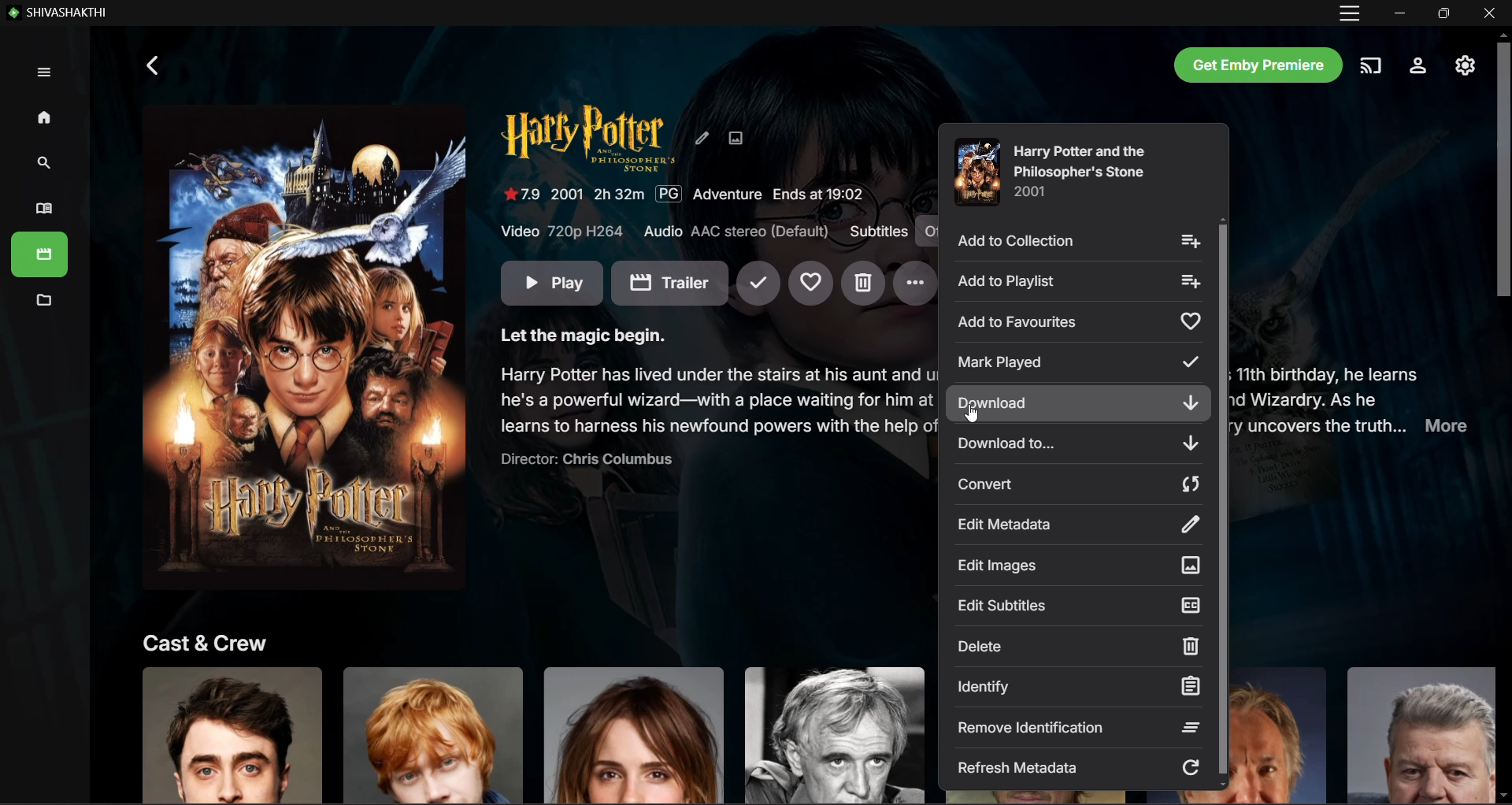 This screenshot has height=805, width=1512. What do you see at coordinates (1080, 486) in the screenshot?
I see `Convert` at bounding box center [1080, 486].